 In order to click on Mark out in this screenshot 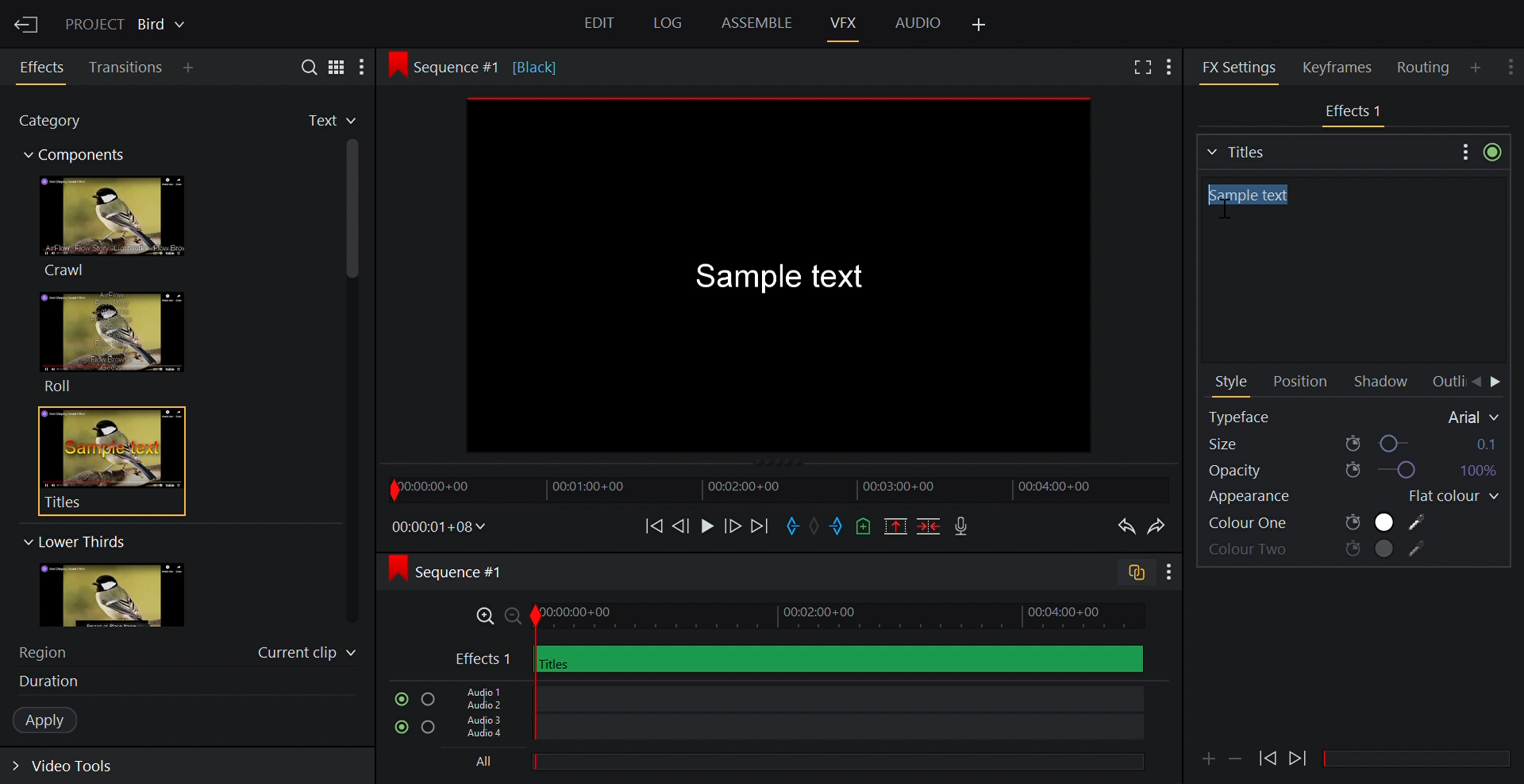, I will do `click(837, 527)`.